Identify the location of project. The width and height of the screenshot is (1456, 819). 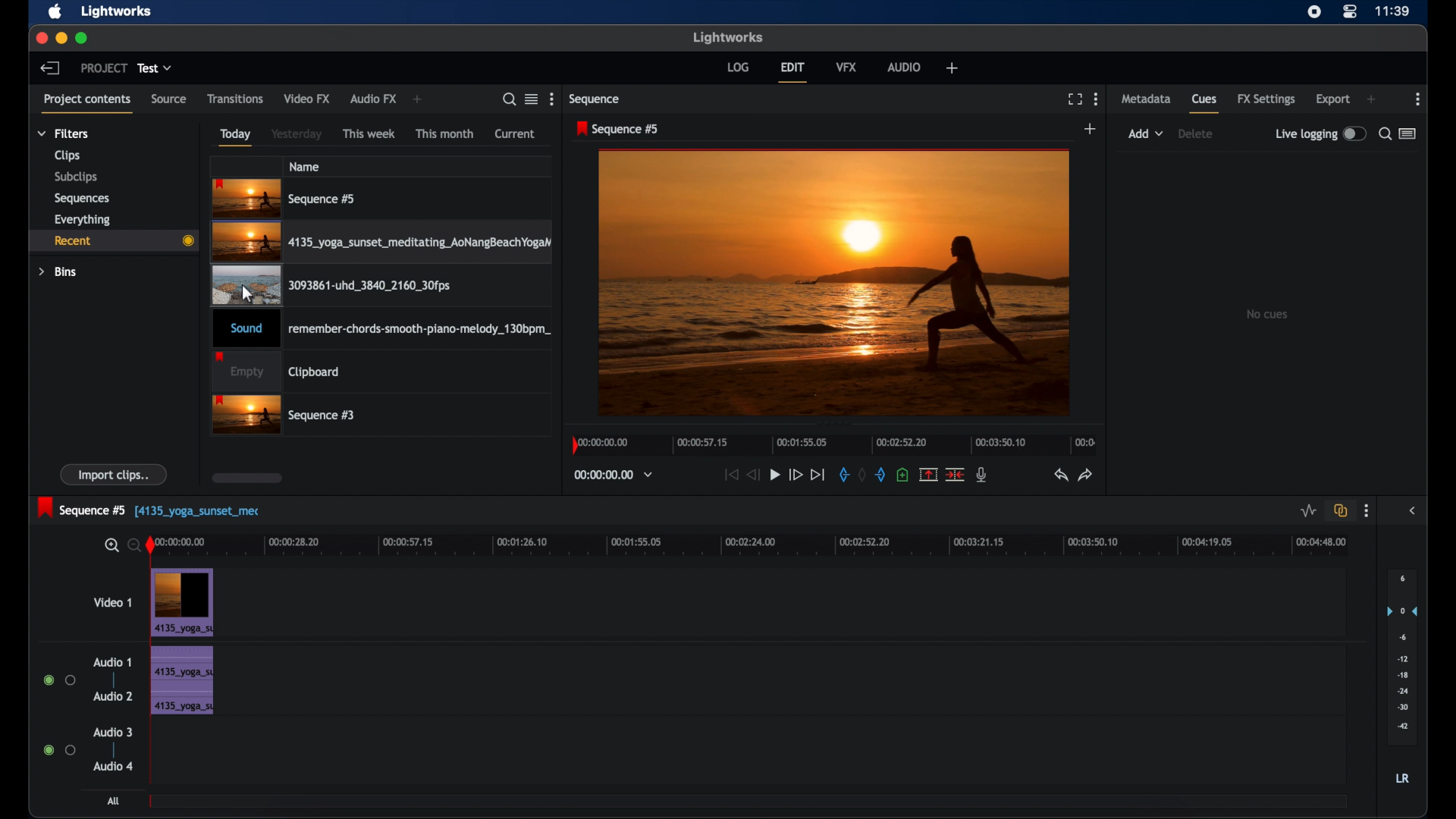
(103, 67).